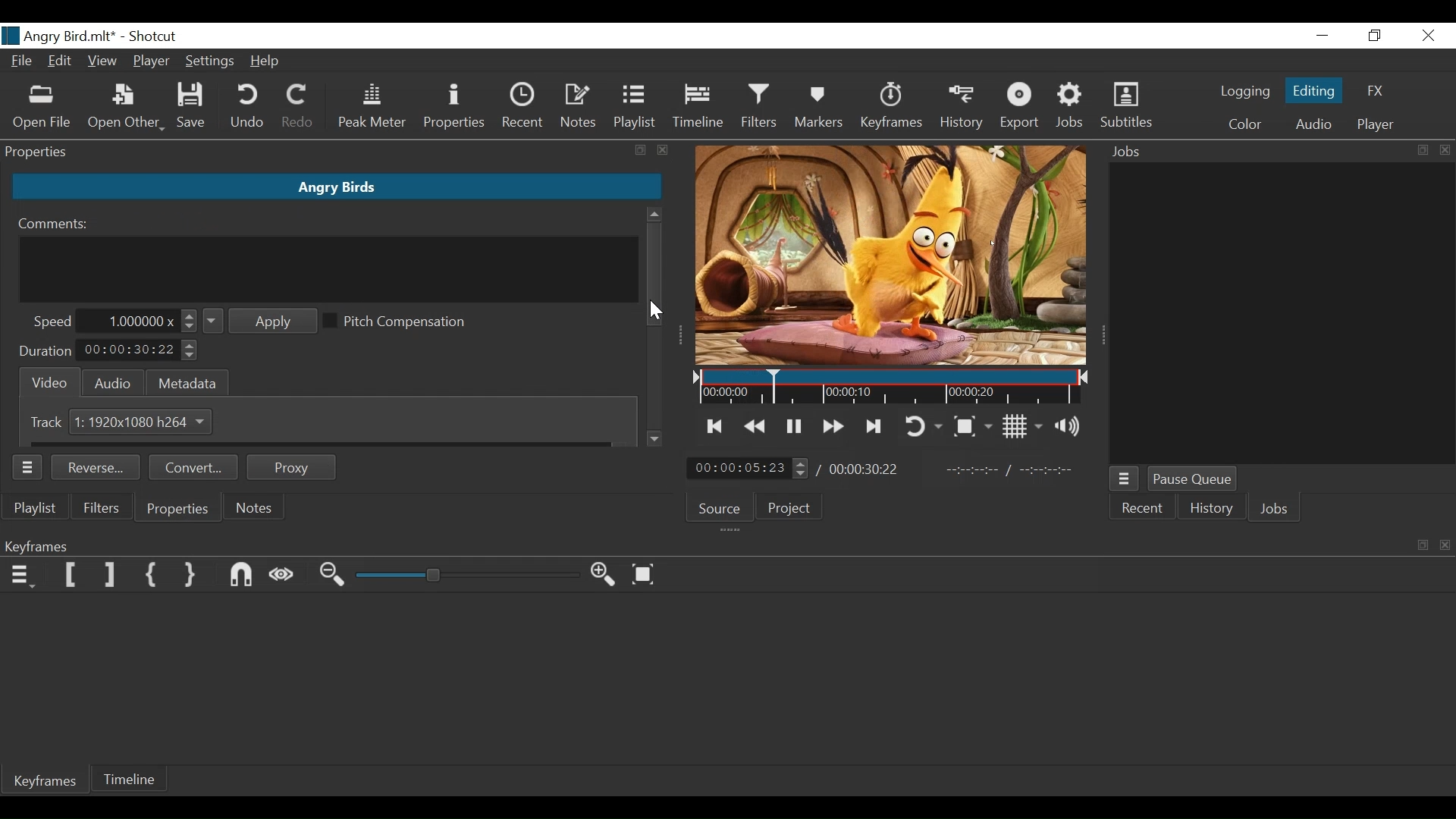 This screenshot has width=1456, height=819. I want to click on FX, so click(1378, 89).